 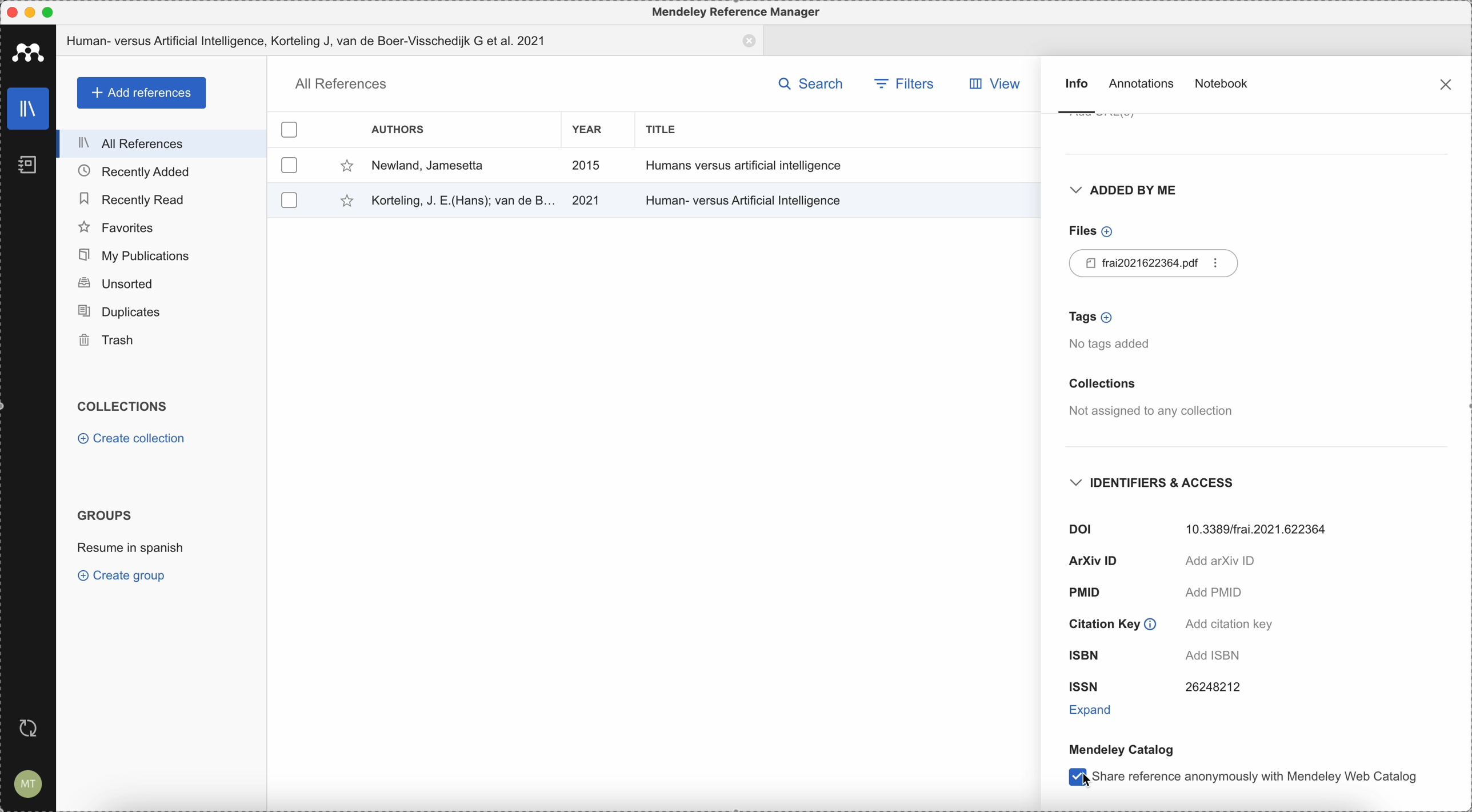 I want to click on resume in spanish group, so click(x=131, y=550).